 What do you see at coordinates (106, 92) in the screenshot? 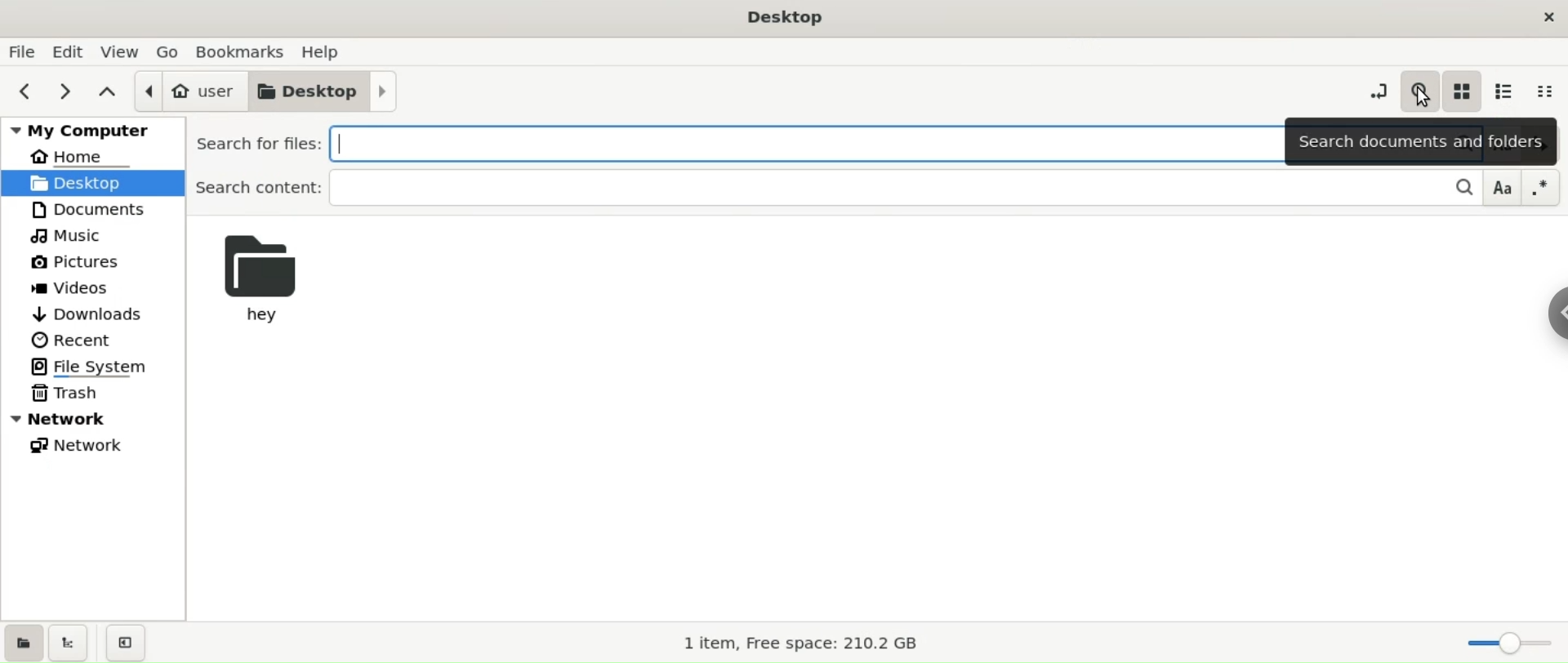
I see `paren folder` at bounding box center [106, 92].